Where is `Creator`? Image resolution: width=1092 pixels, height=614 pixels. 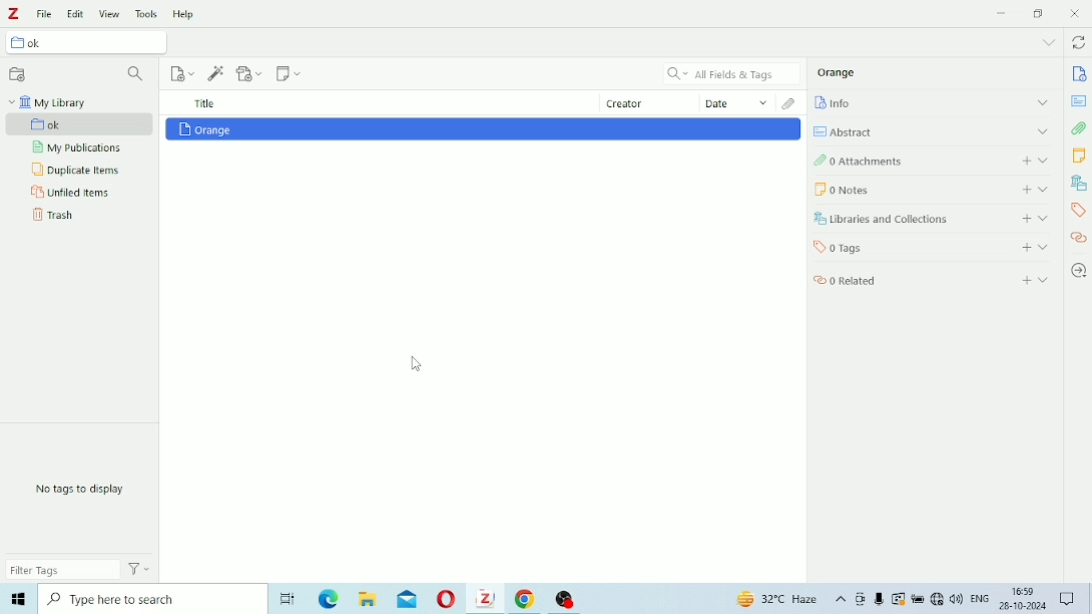
Creator is located at coordinates (650, 102).